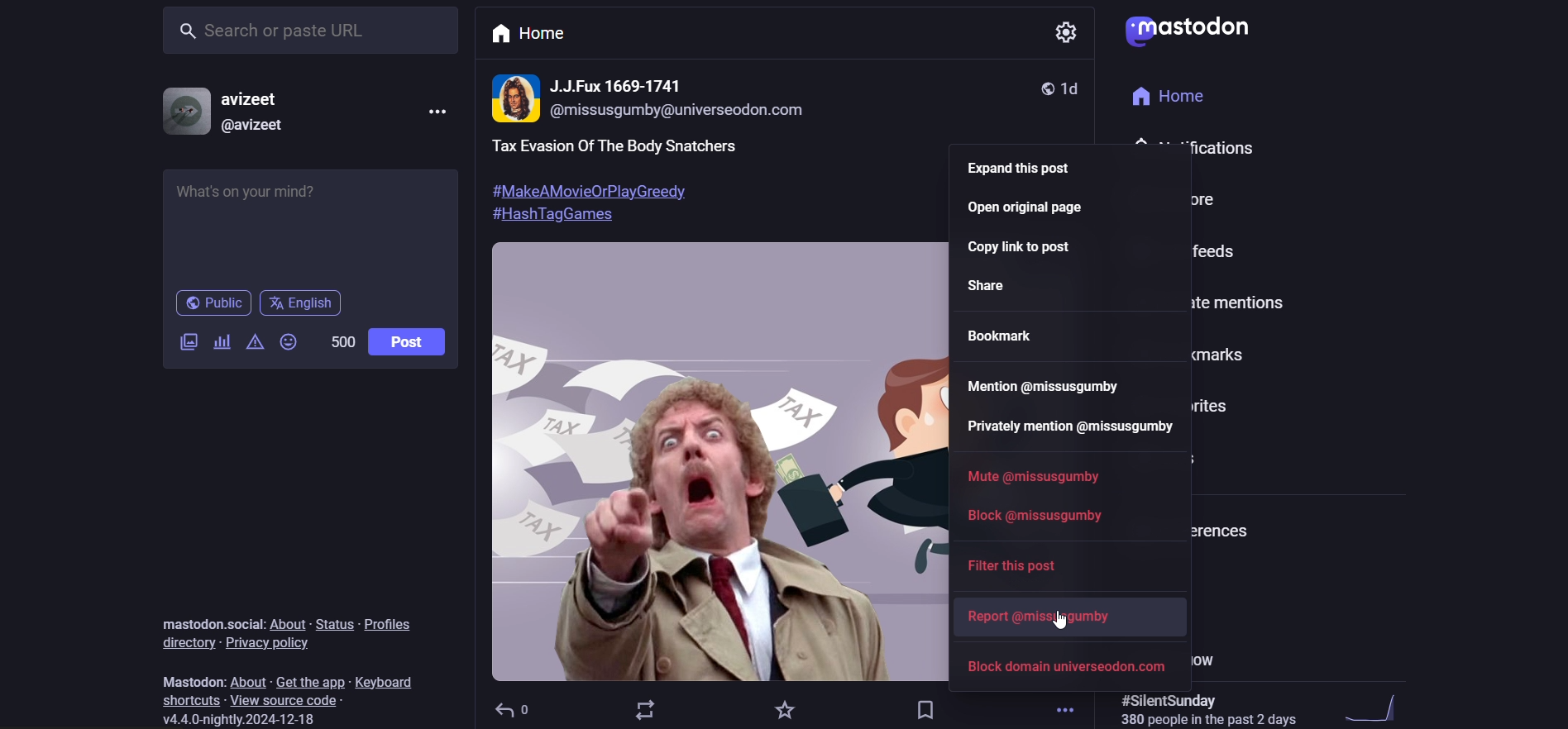  Describe the element at coordinates (206, 622) in the screenshot. I see `mastodon social` at that location.